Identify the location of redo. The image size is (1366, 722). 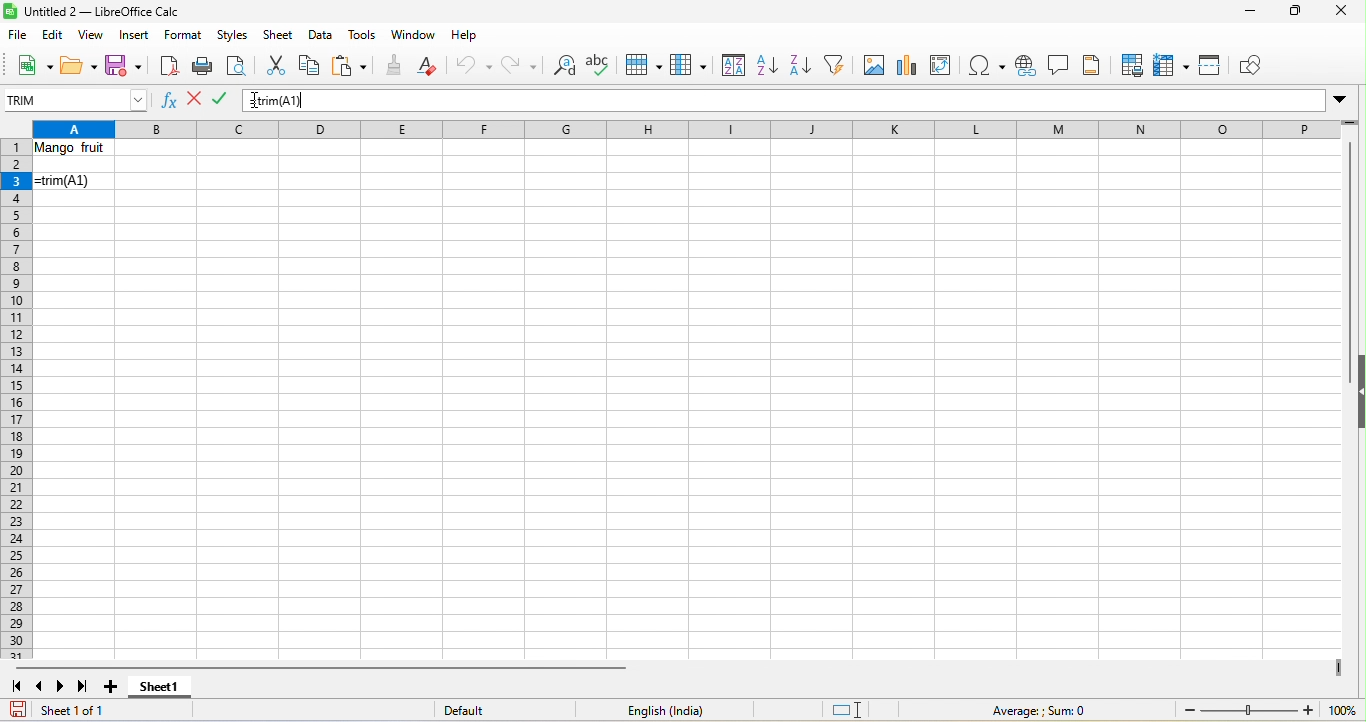
(520, 65).